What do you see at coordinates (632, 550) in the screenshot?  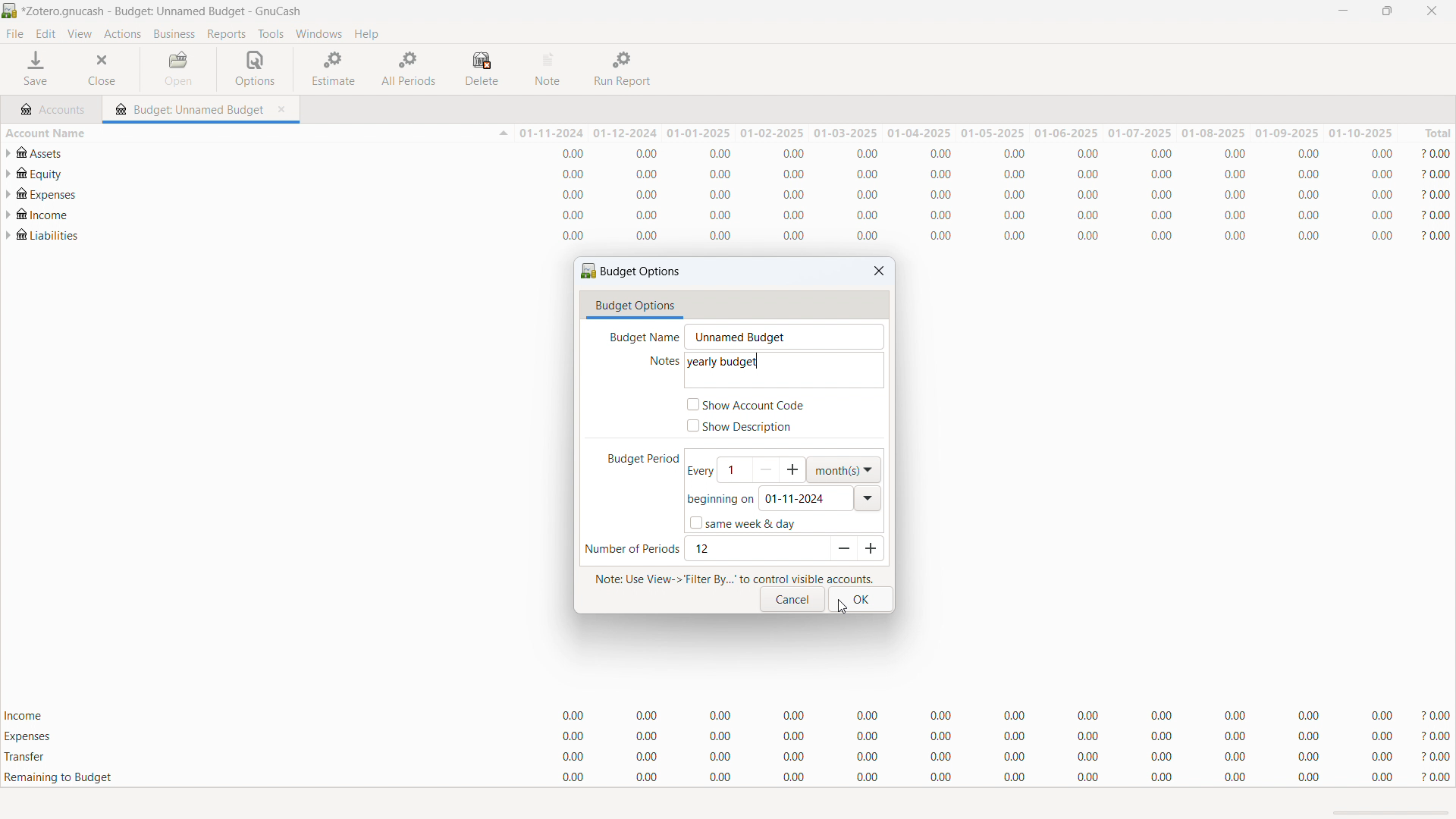 I see `number of periods` at bounding box center [632, 550].